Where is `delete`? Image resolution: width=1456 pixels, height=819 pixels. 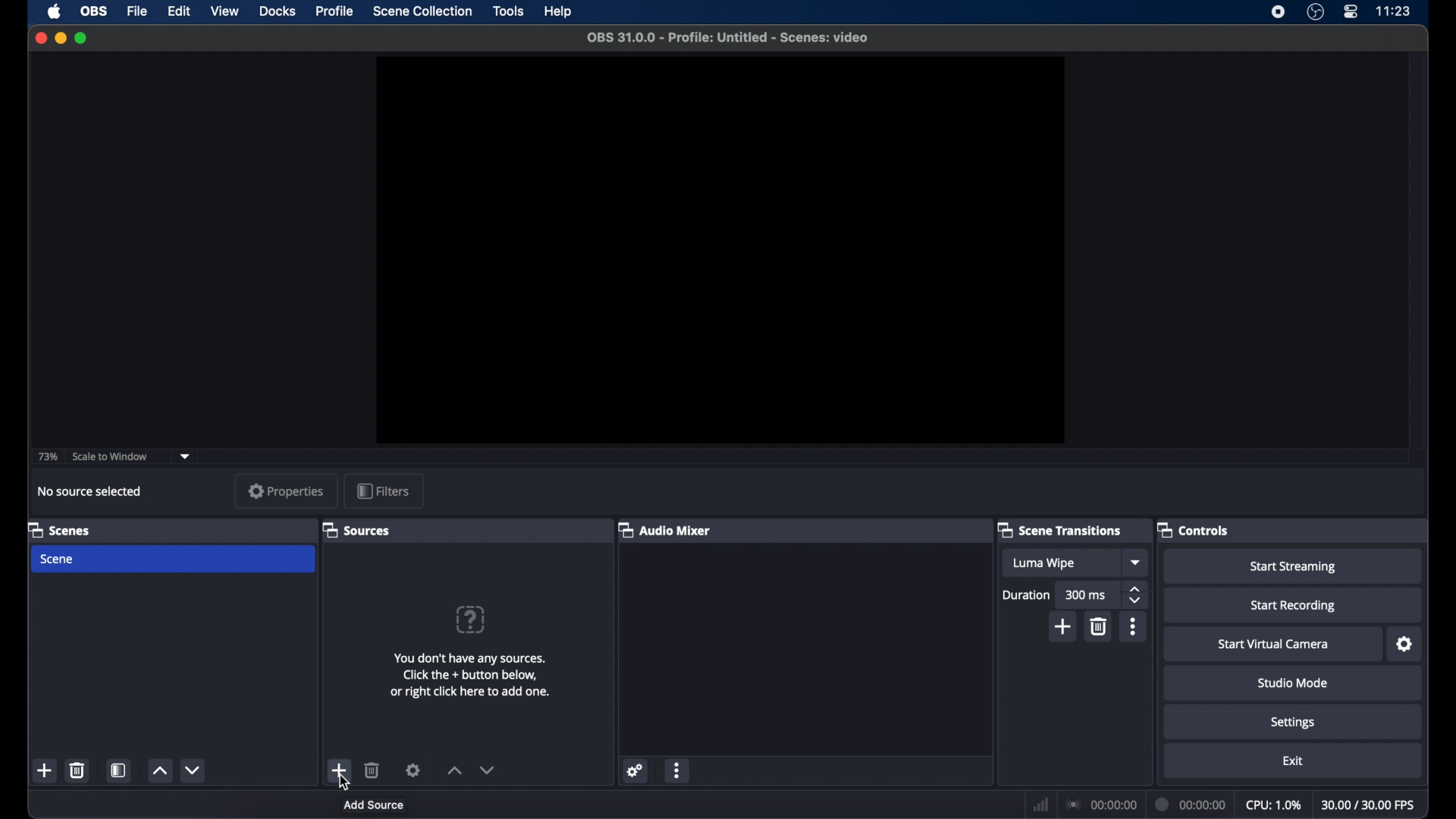
delete is located at coordinates (372, 770).